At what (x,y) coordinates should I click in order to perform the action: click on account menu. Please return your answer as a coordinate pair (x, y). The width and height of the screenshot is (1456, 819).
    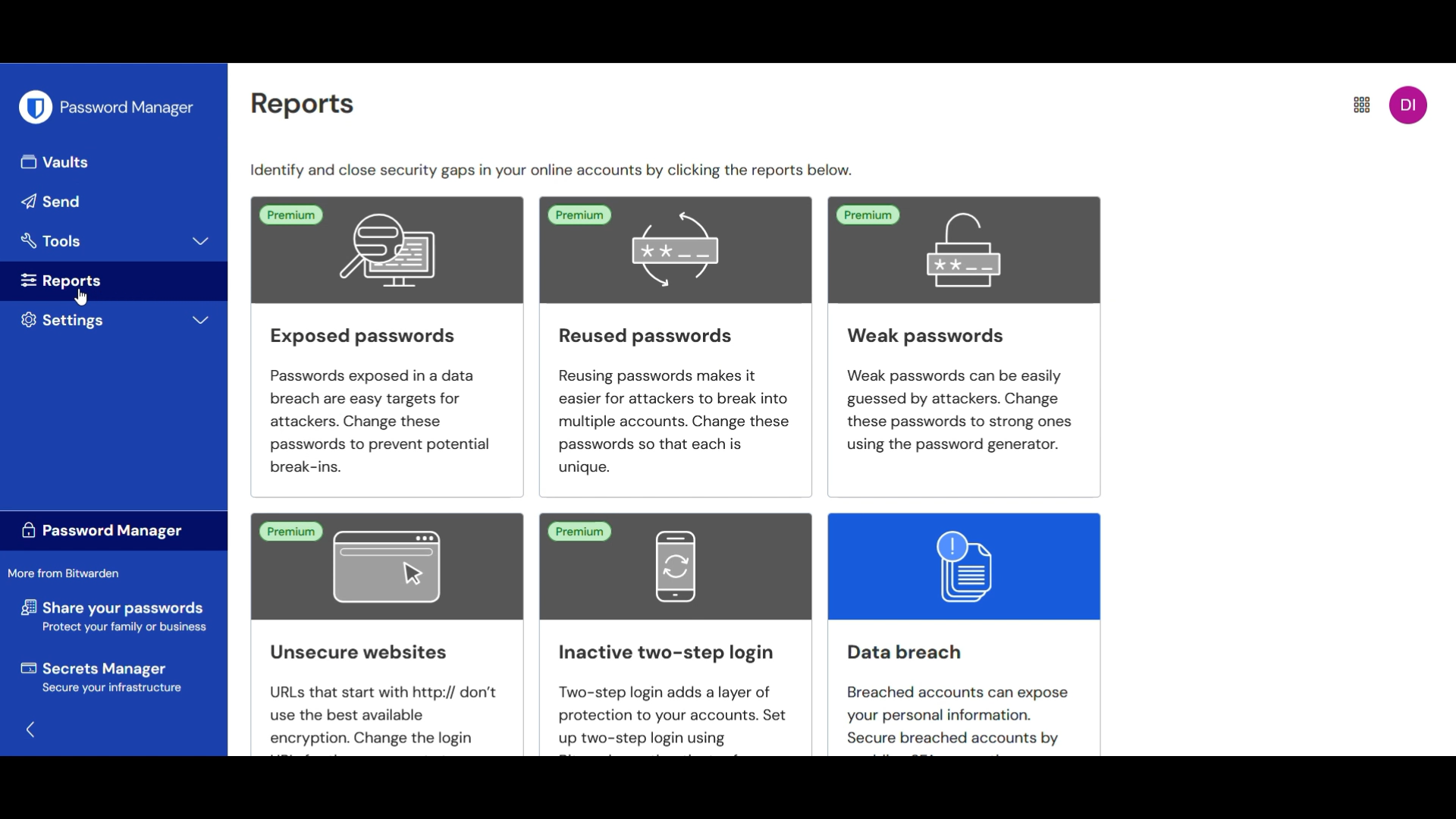
    Looking at the image, I should click on (1410, 105).